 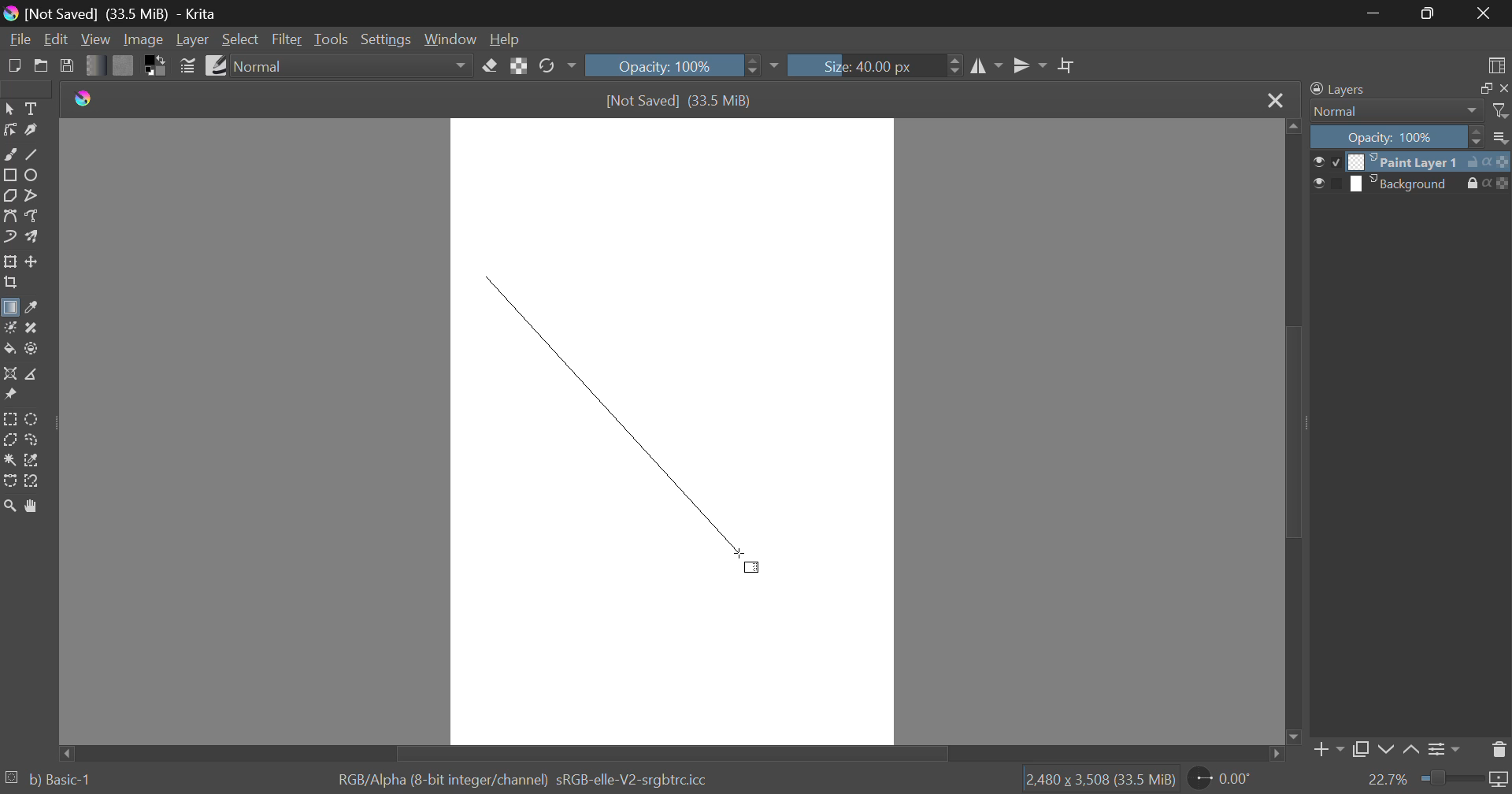 I want to click on Magnetic Selection, so click(x=31, y=481).